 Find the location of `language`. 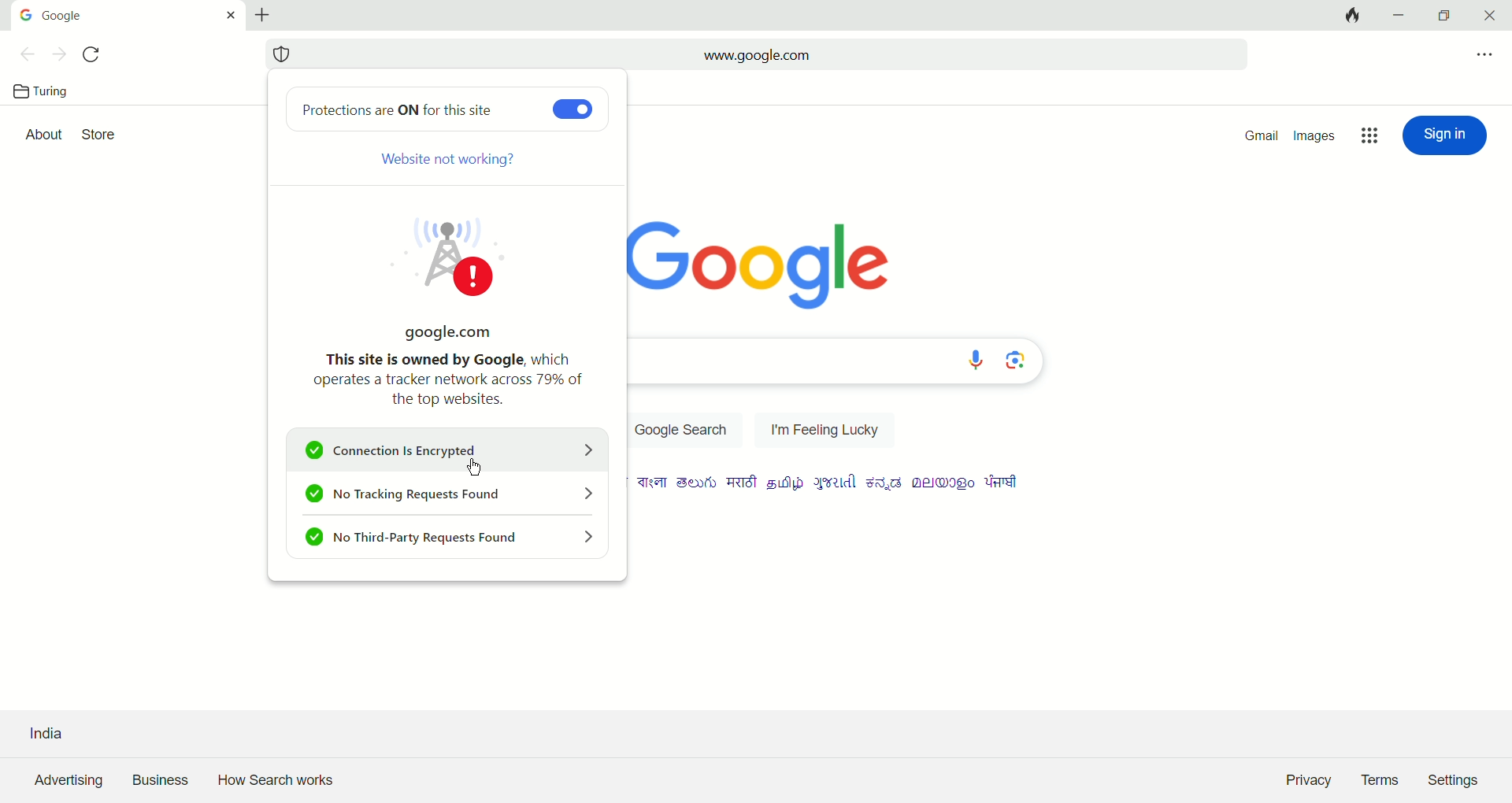

language is located at coordinates (743, 483).